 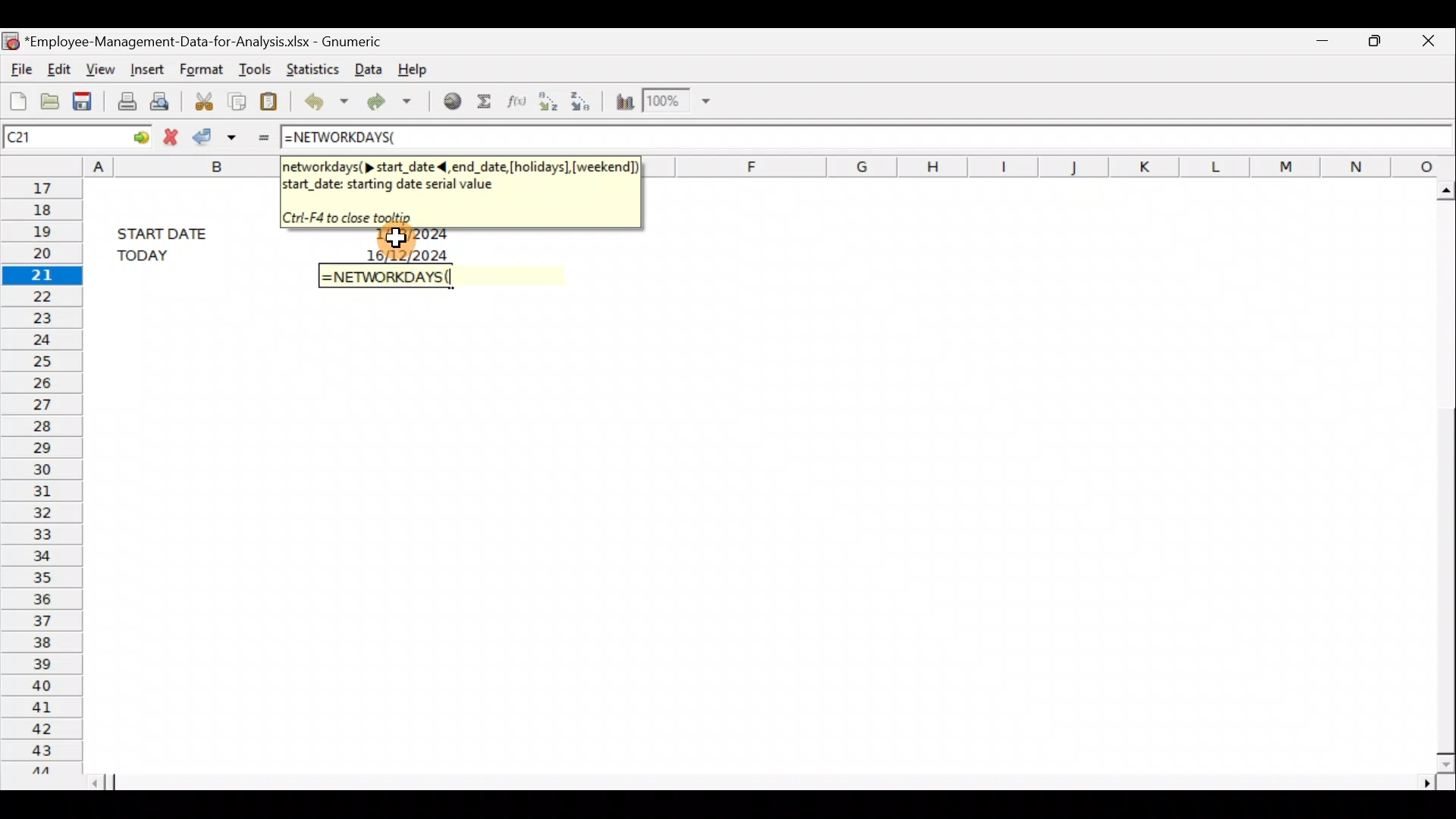 I want to click on Cut the selection, so click(x=206, y=99).